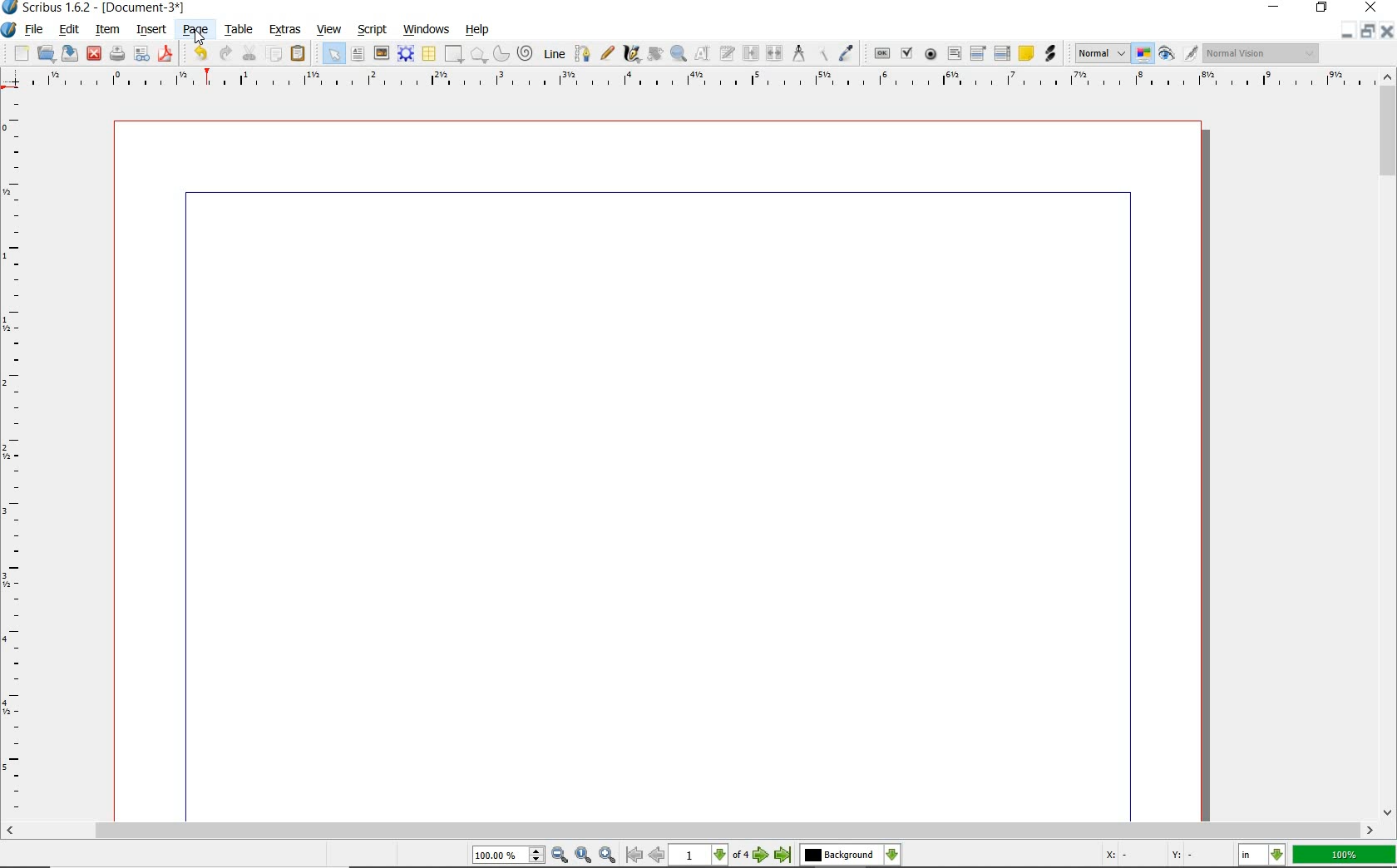  I want to click on pdf push button, so click(881, 53).